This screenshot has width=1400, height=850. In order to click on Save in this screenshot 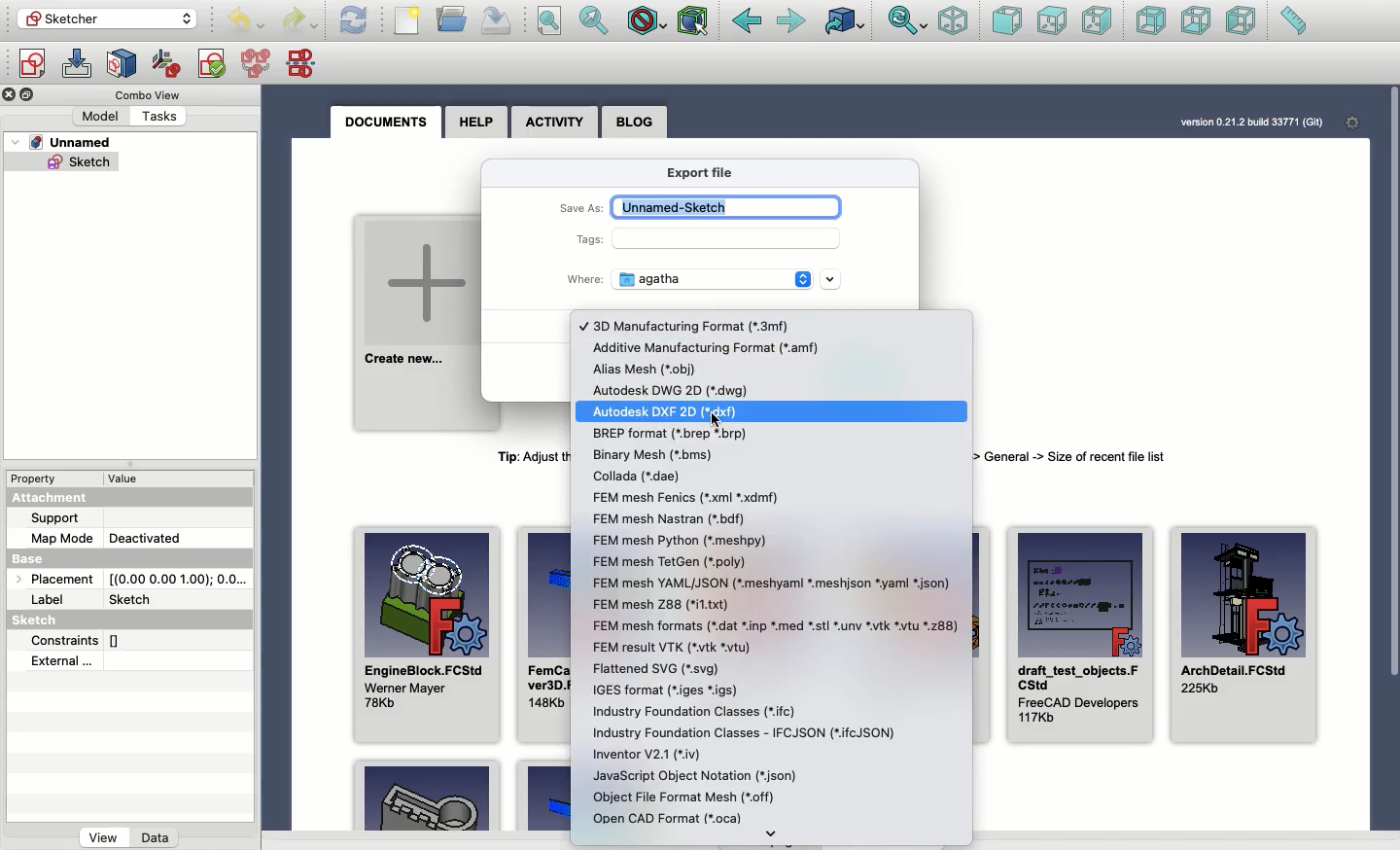, I will do `click(497, 19)`.